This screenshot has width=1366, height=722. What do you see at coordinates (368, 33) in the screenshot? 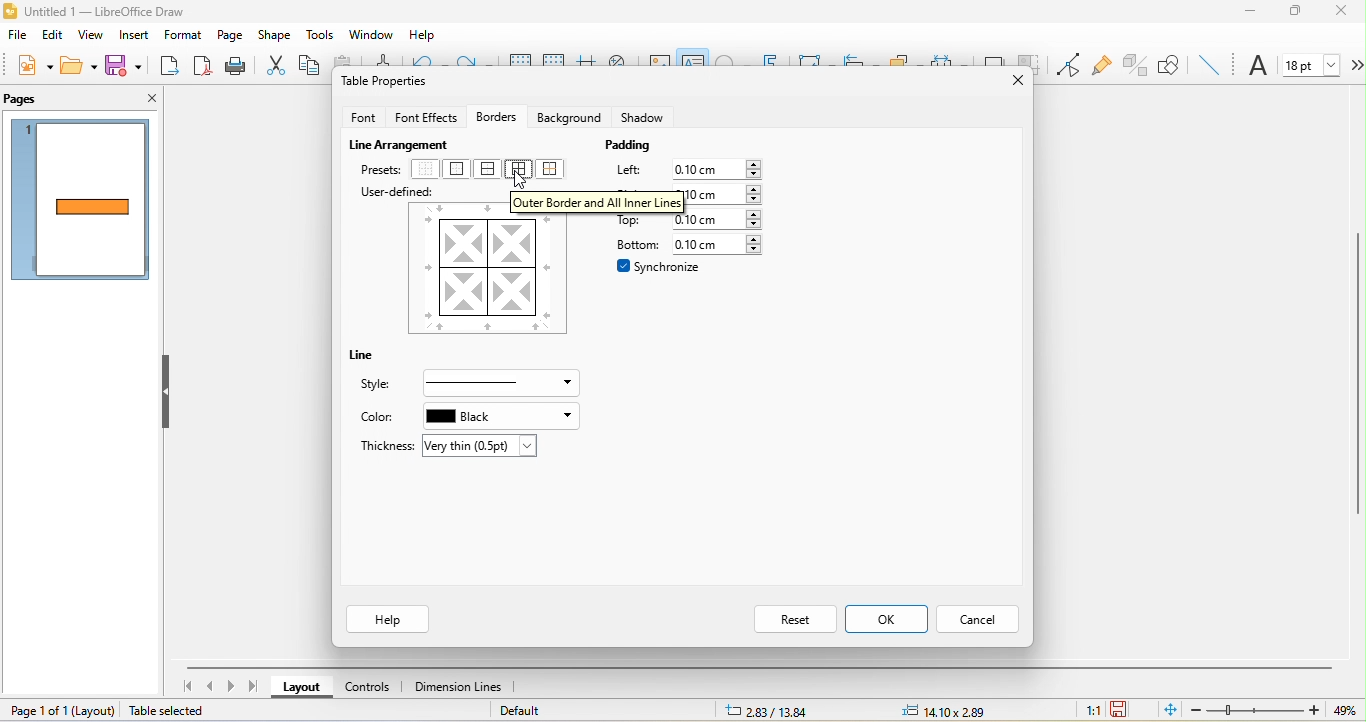
I see `window` at bounding box center [368, 33].